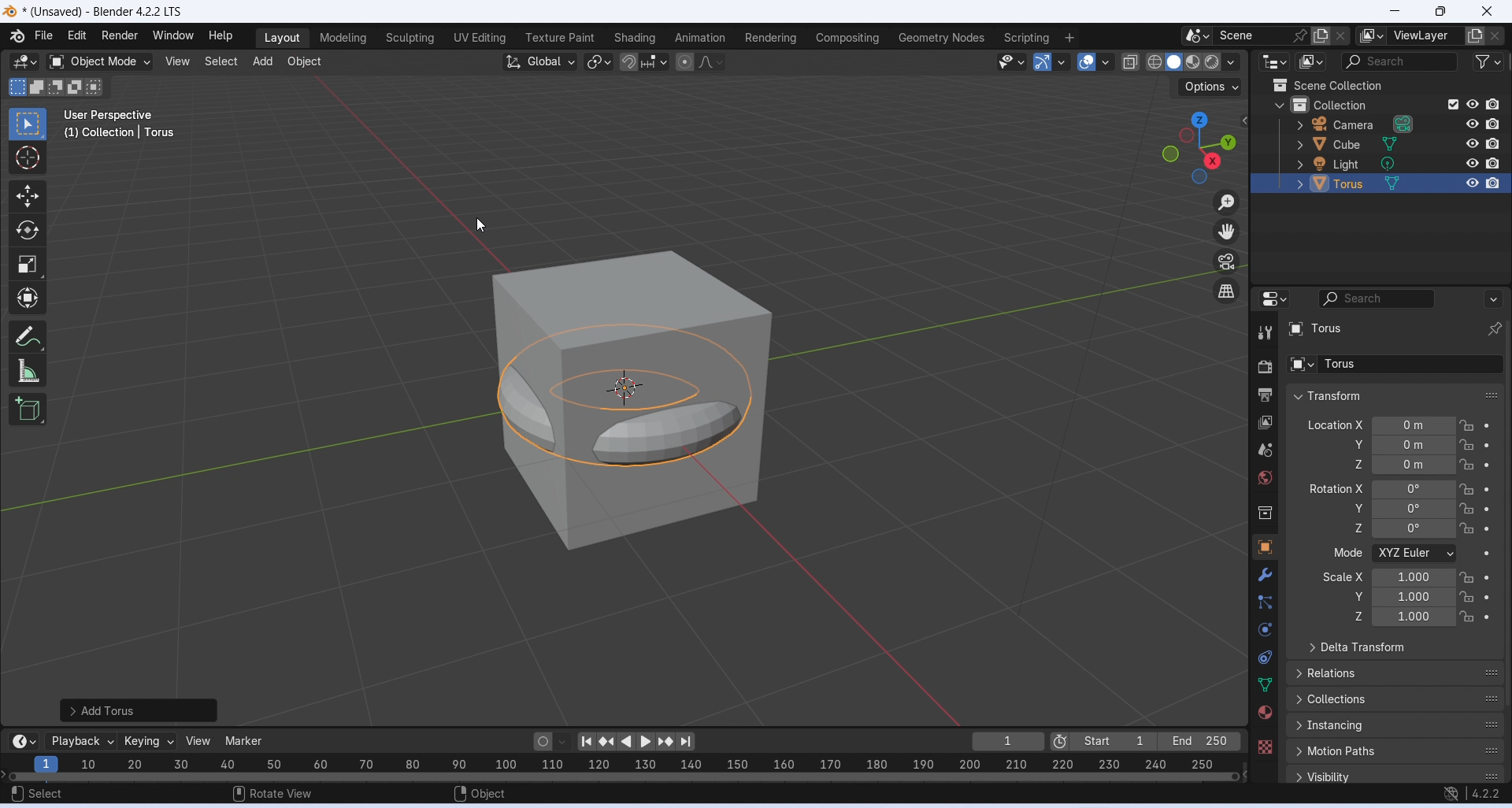 This screenshot has width=1512, height=808. What do you see at coordinates (542, 740) in the screenshot?
I see `Auto keying` at bounding box center [542, 740].